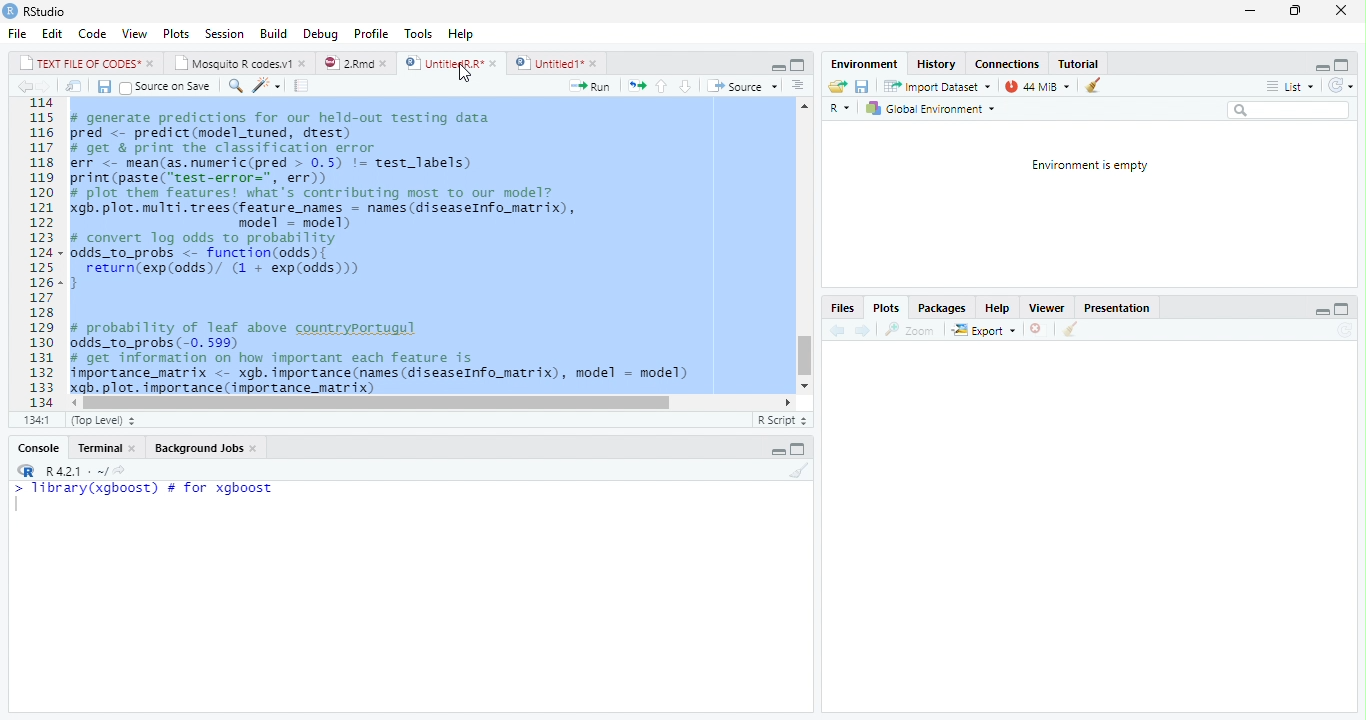 Image resolution: width=1366 pixels, height=720 pixels. Describe the element at coordinates (39, 447) in the screenshot. I see `Console` at that location.